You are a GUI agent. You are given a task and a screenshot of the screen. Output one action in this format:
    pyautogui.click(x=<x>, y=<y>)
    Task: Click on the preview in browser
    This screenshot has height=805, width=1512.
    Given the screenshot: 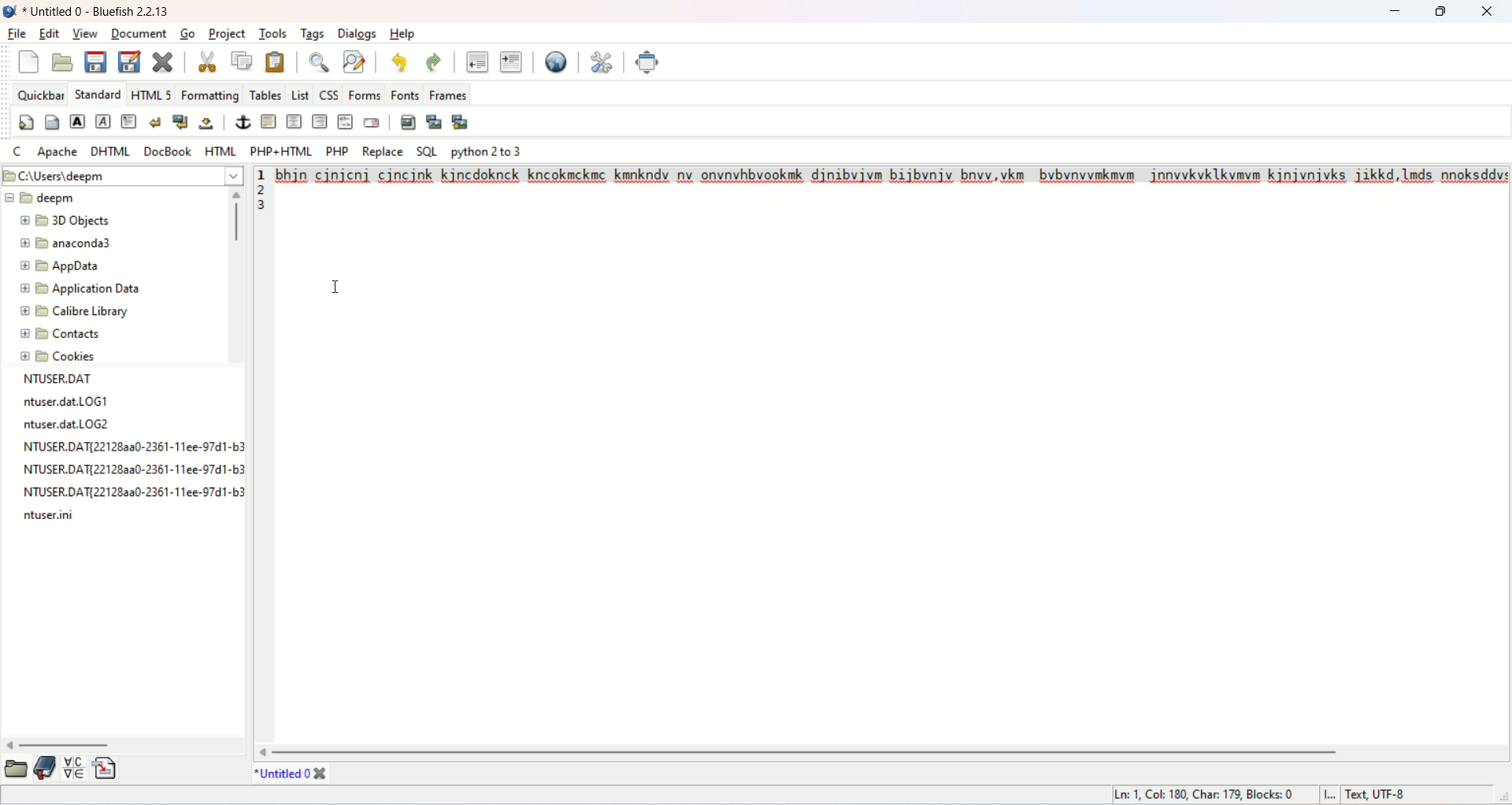 What is the action you would take?
    pyautogui.click(x=555, y=63)
    